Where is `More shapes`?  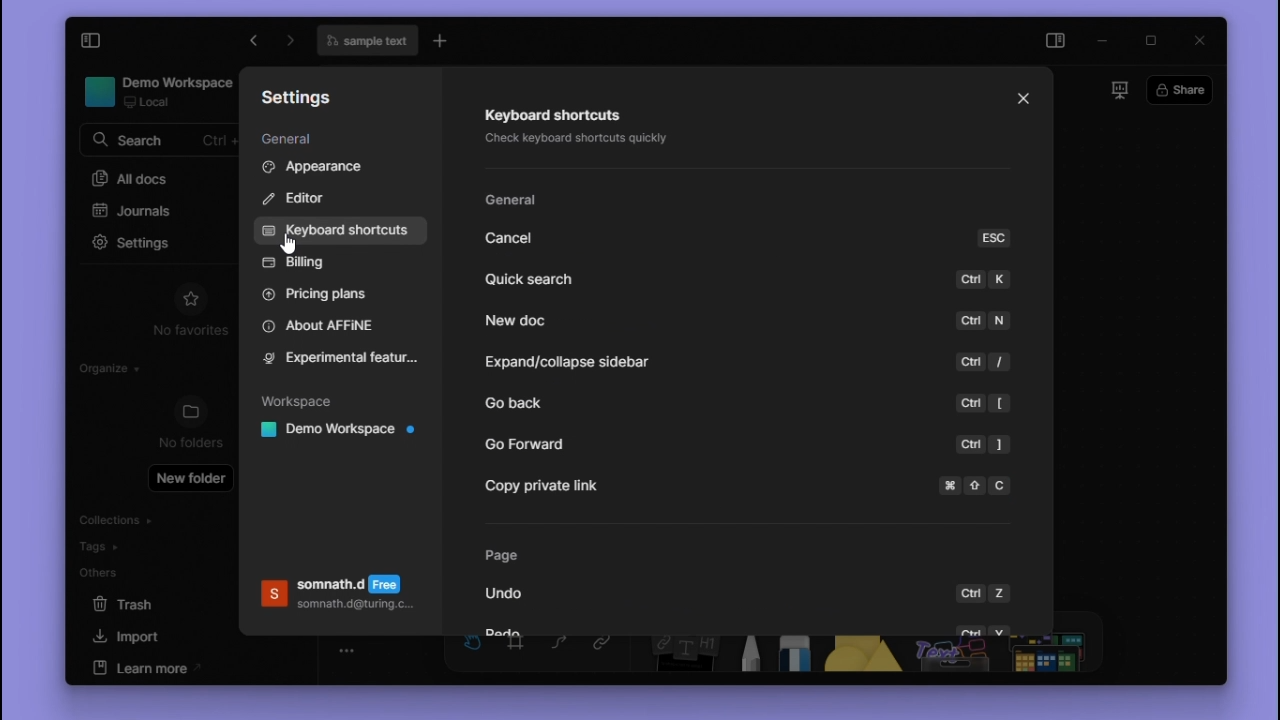 More shapes is located at coordinates (1053, 656).